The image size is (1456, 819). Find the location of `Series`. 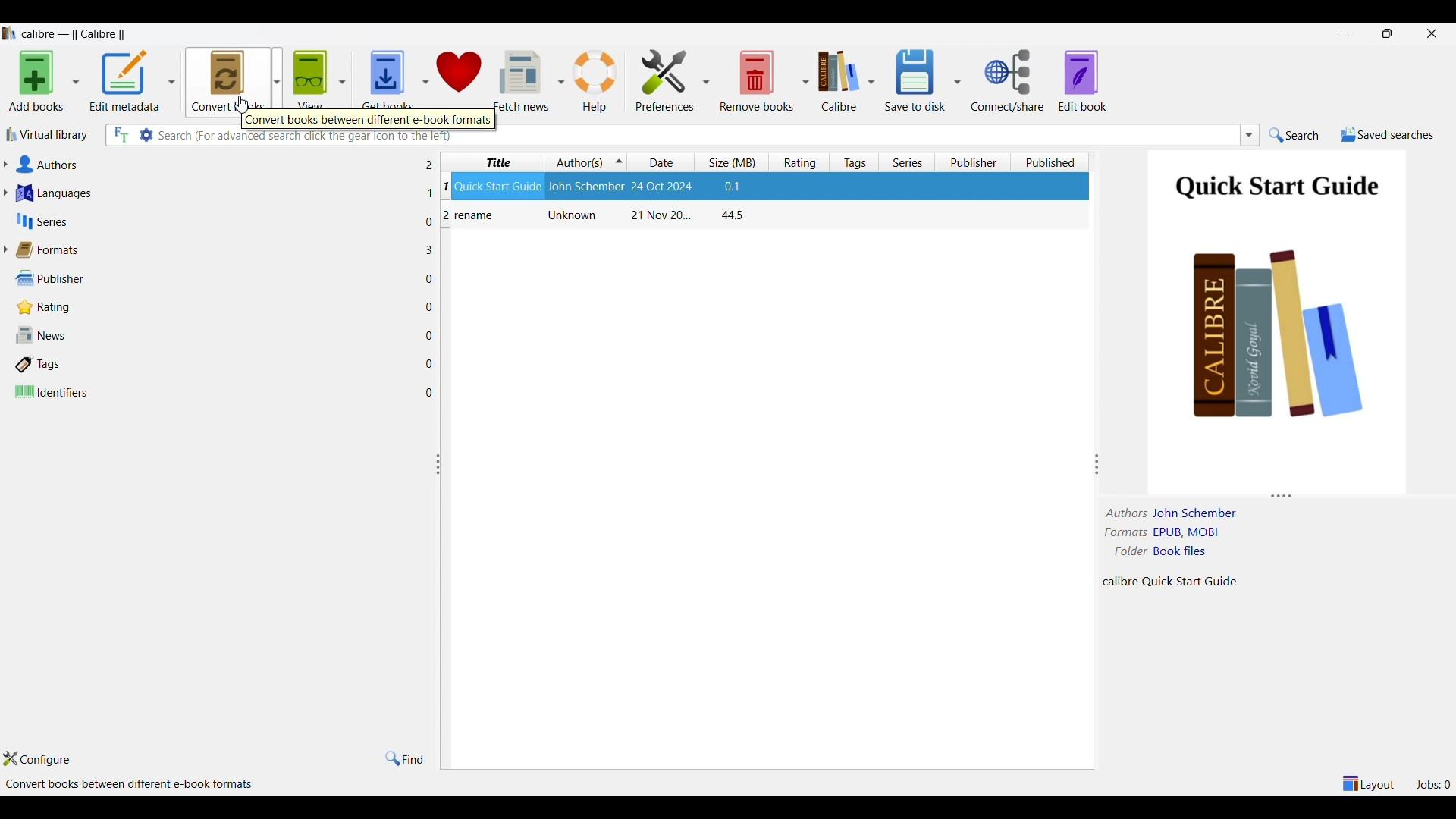

Series is located at coordinates (215, 221).